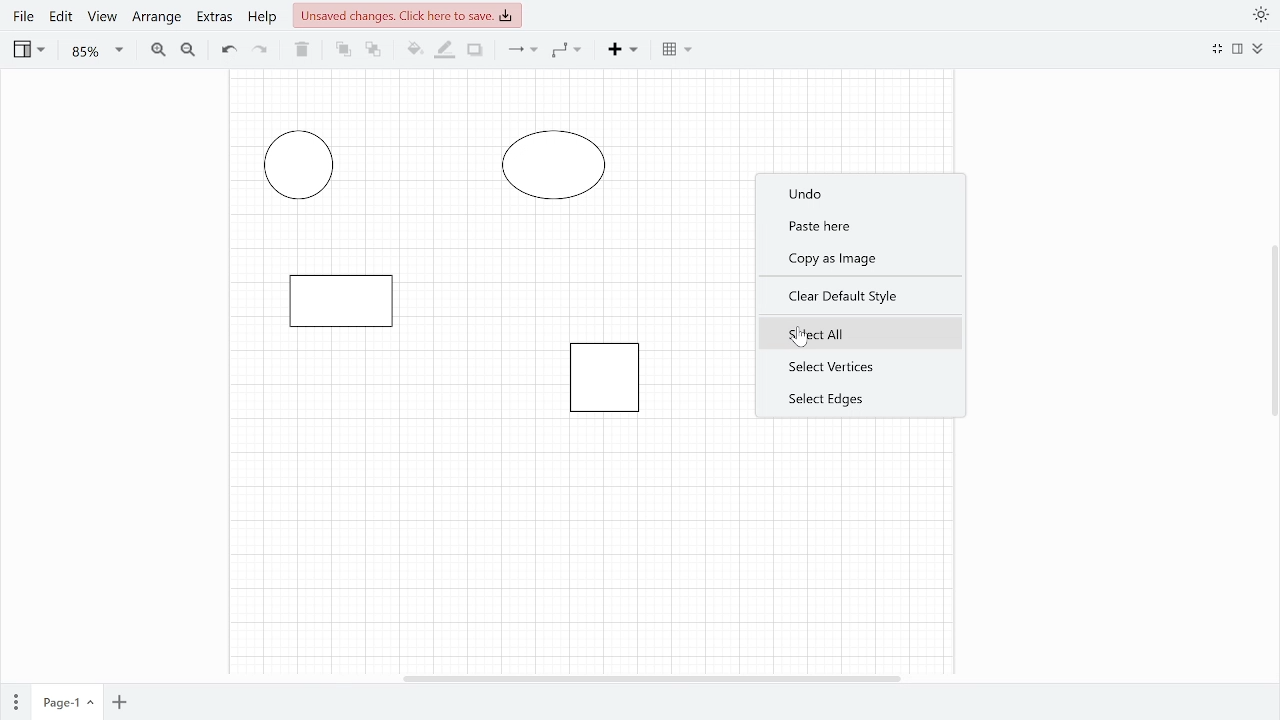  Describe the element at coordinates (860, 332) in the screenshot. I see `Select all` at that location.